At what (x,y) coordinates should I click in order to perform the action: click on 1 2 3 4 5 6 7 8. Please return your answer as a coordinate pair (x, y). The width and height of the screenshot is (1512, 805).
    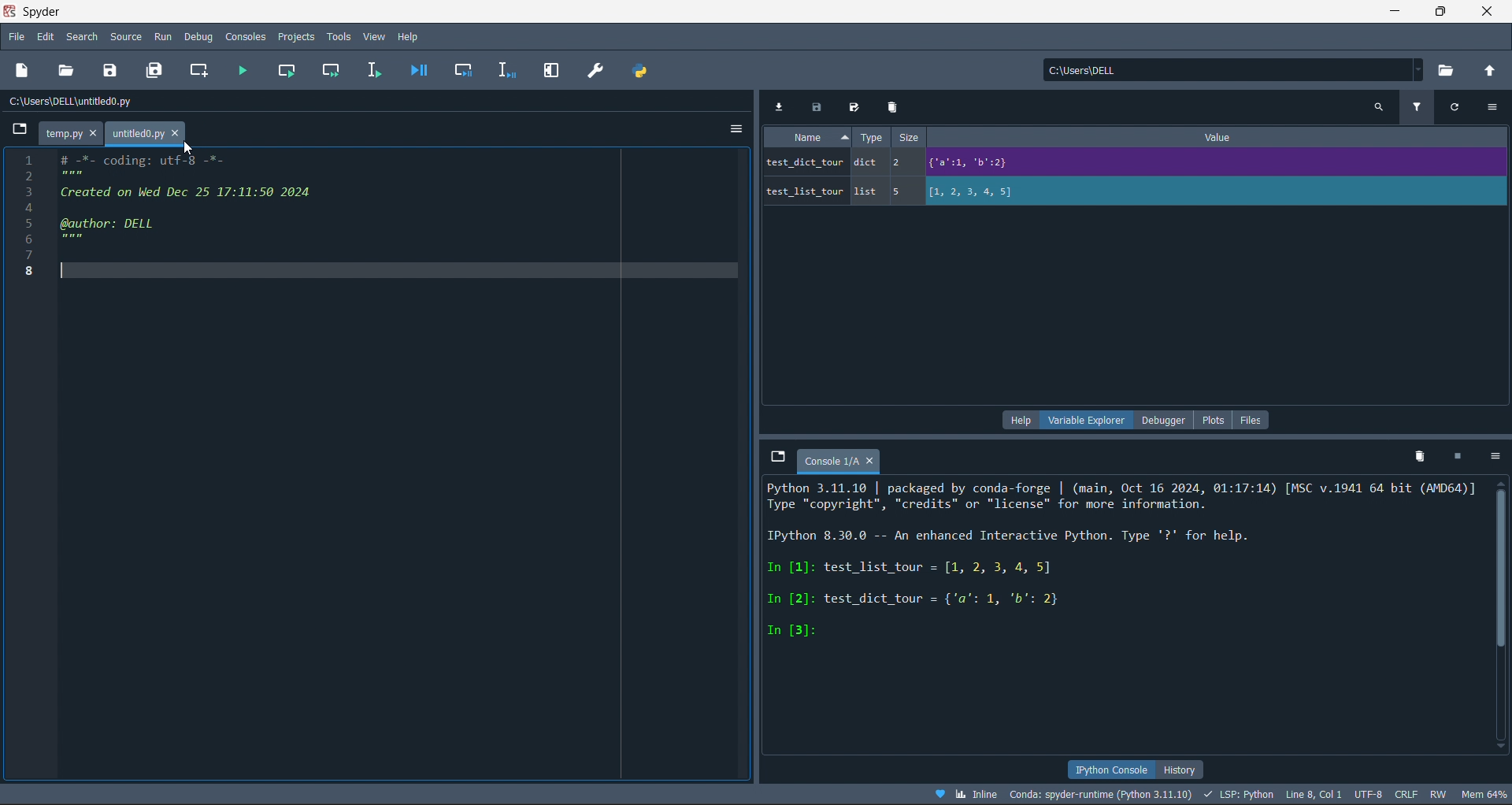
    Looking at the image, I should click on (20, 213).